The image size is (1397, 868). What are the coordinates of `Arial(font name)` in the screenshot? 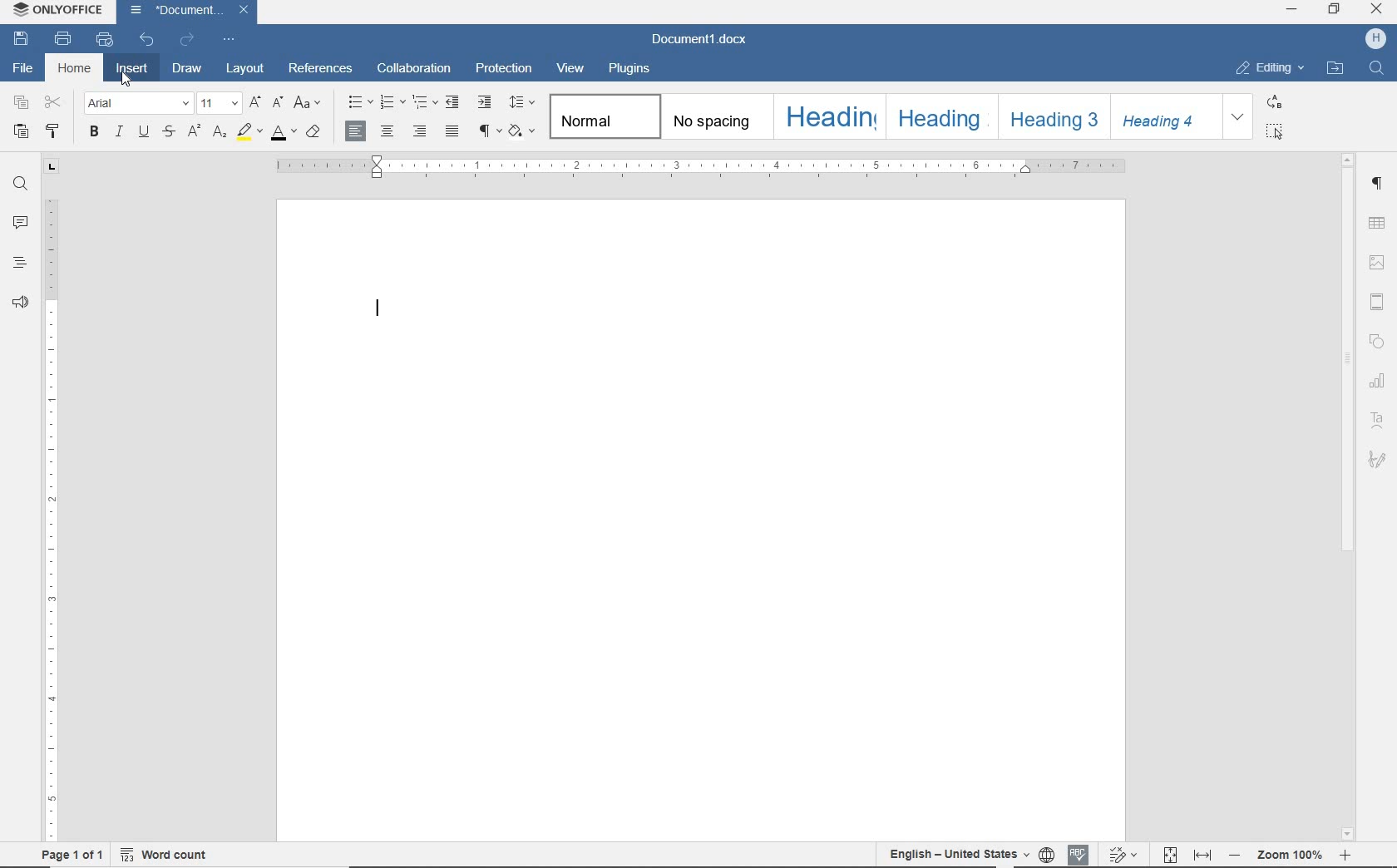 It's located at (136, 102).